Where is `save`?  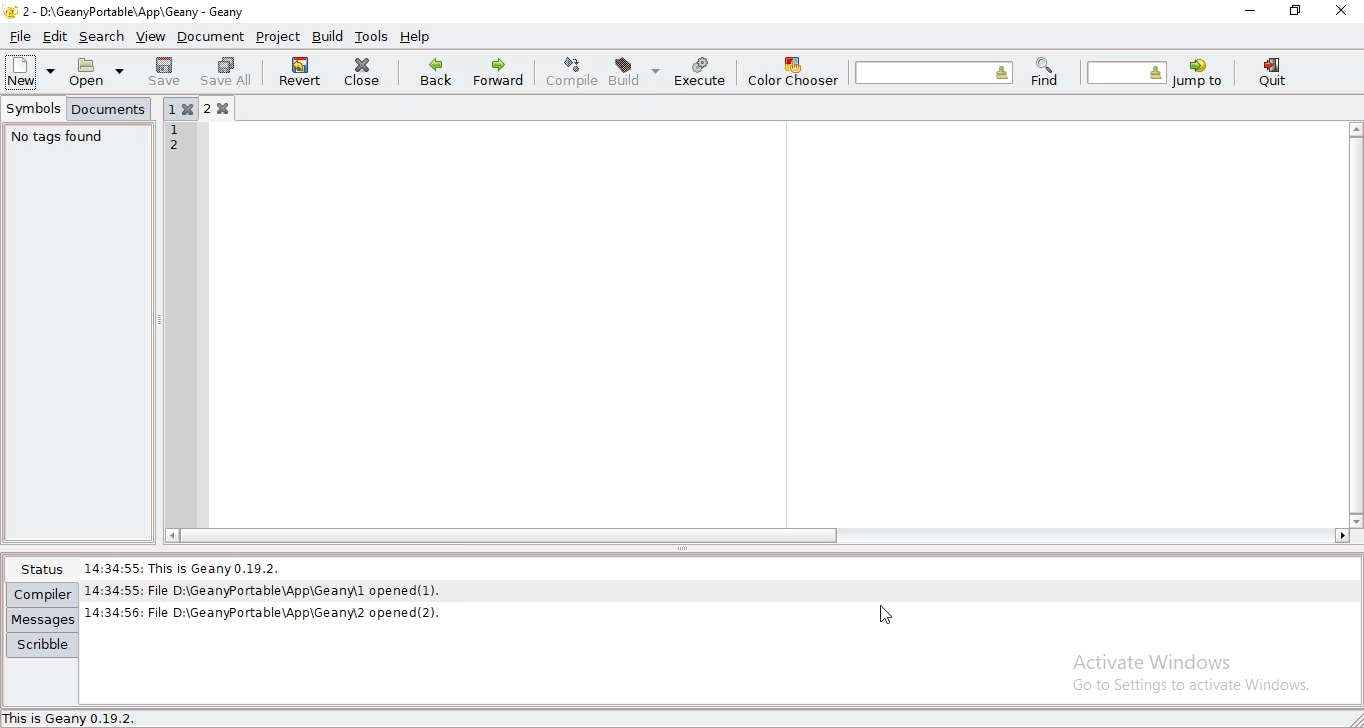
save is located at coordinates (166, 71).